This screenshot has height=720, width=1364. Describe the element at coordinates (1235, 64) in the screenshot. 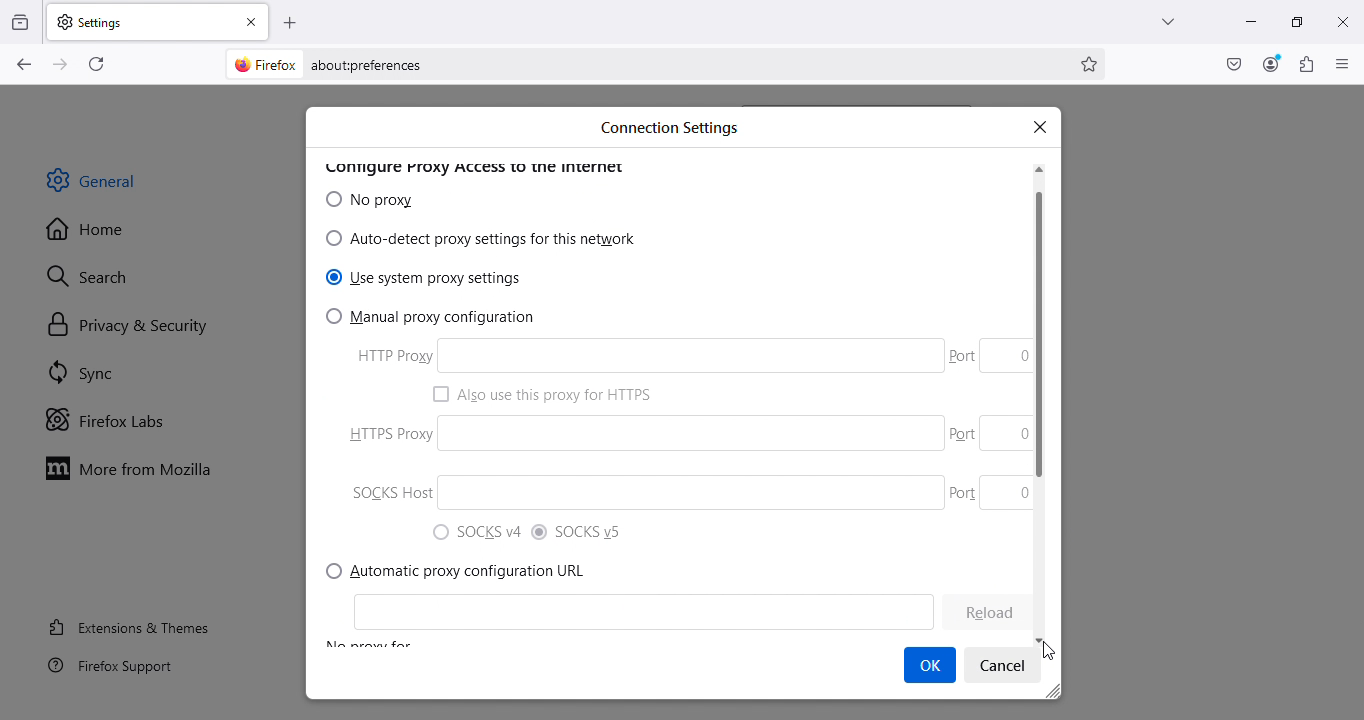

I see `Save to pocket` at that location.